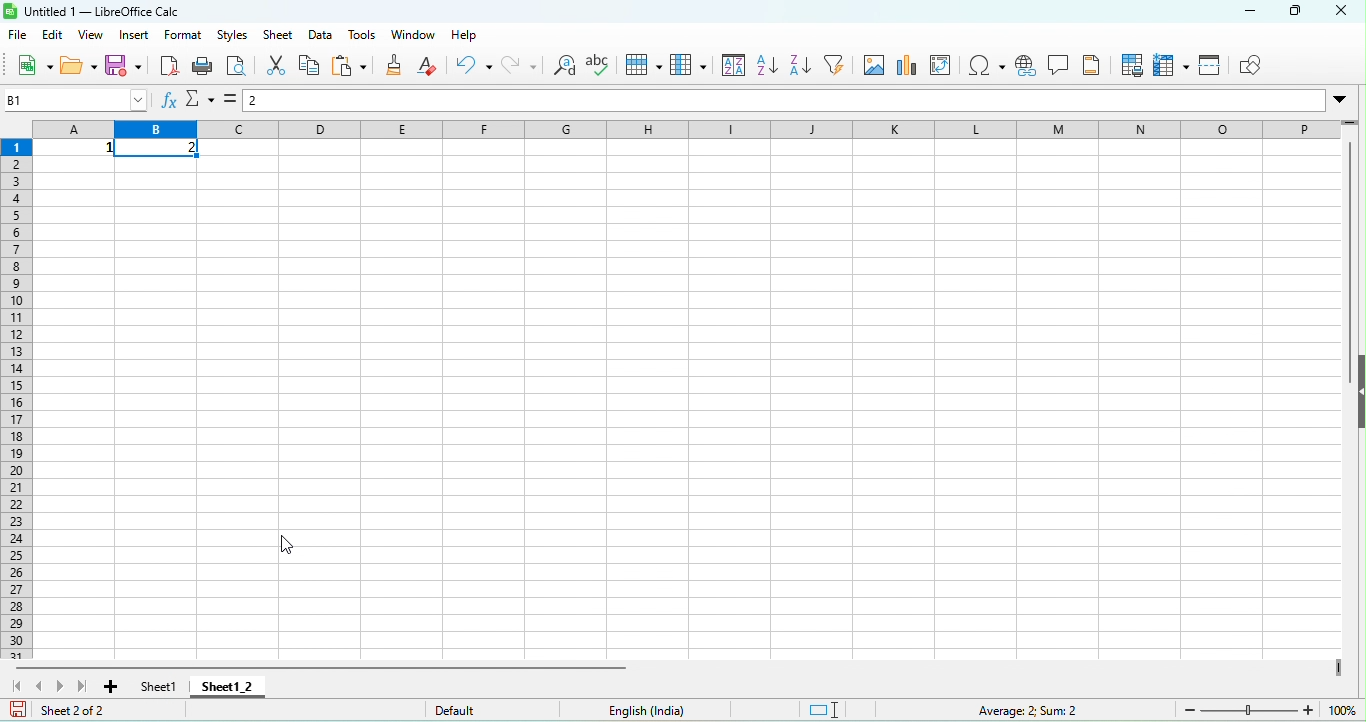  What do you see at coordinates (1346, 238) in the screenshot?
I see `vertical scroll bar` at bounding box center [1346, 238].